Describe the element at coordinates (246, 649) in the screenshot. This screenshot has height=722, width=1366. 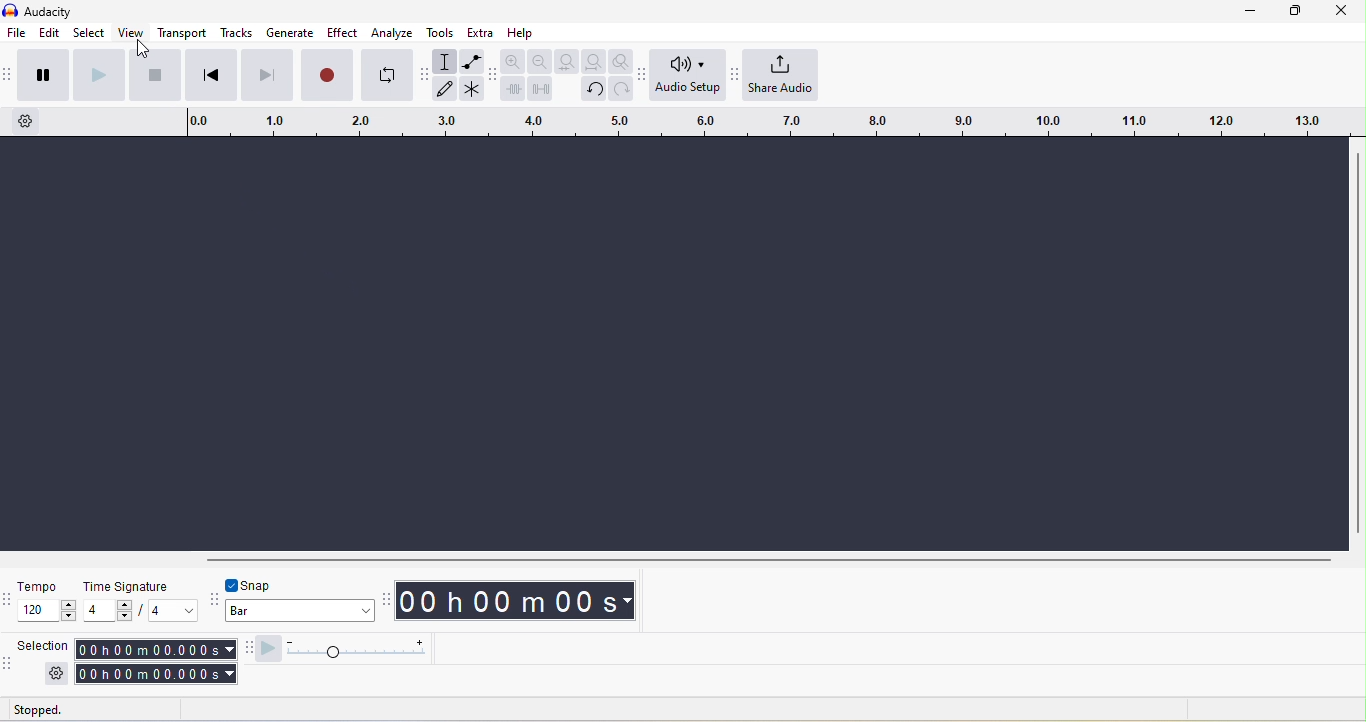
I see `play at speed toolbar` at that location.